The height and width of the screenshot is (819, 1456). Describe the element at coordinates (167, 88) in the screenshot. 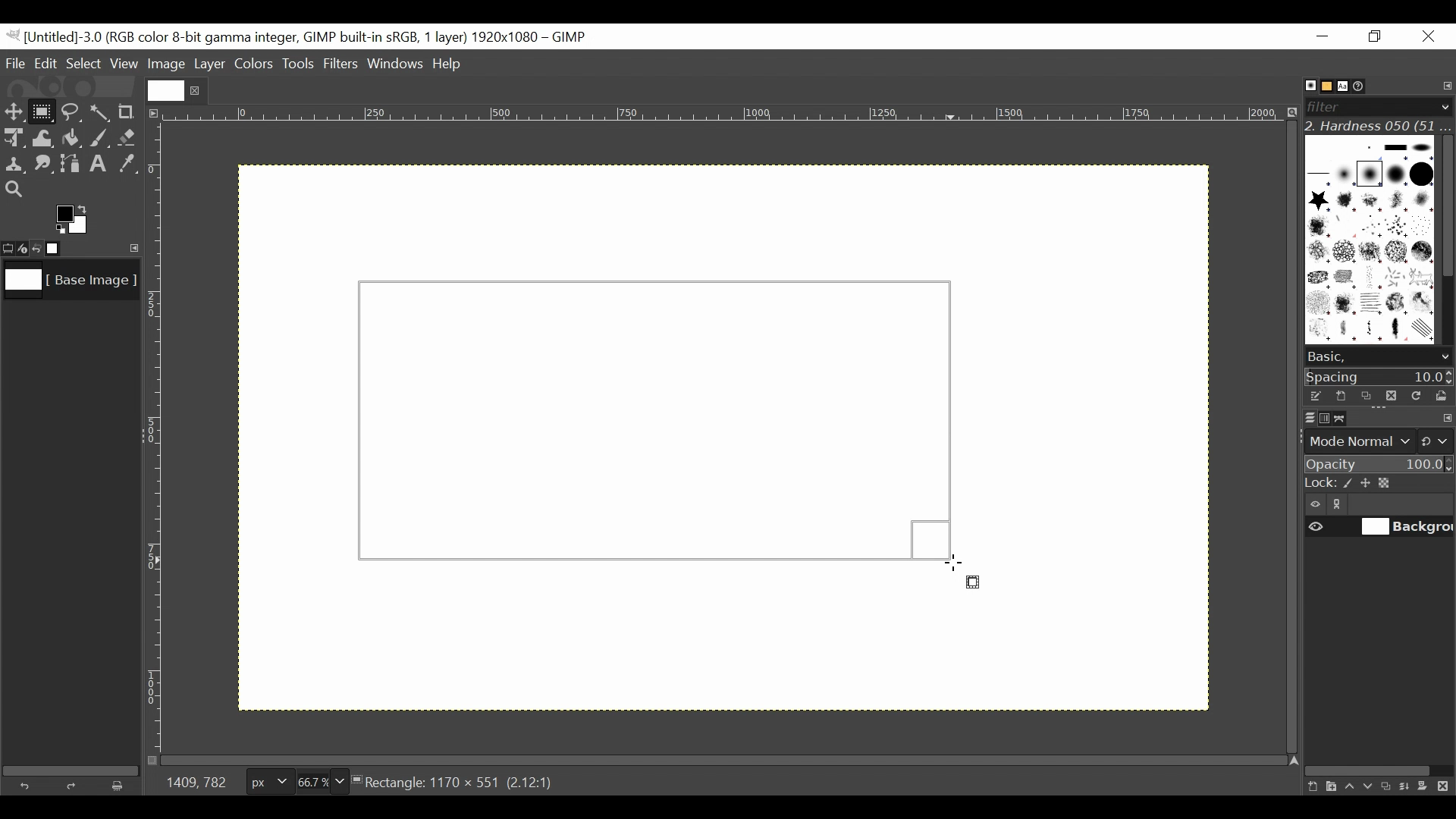

I see `Current file` at that location.